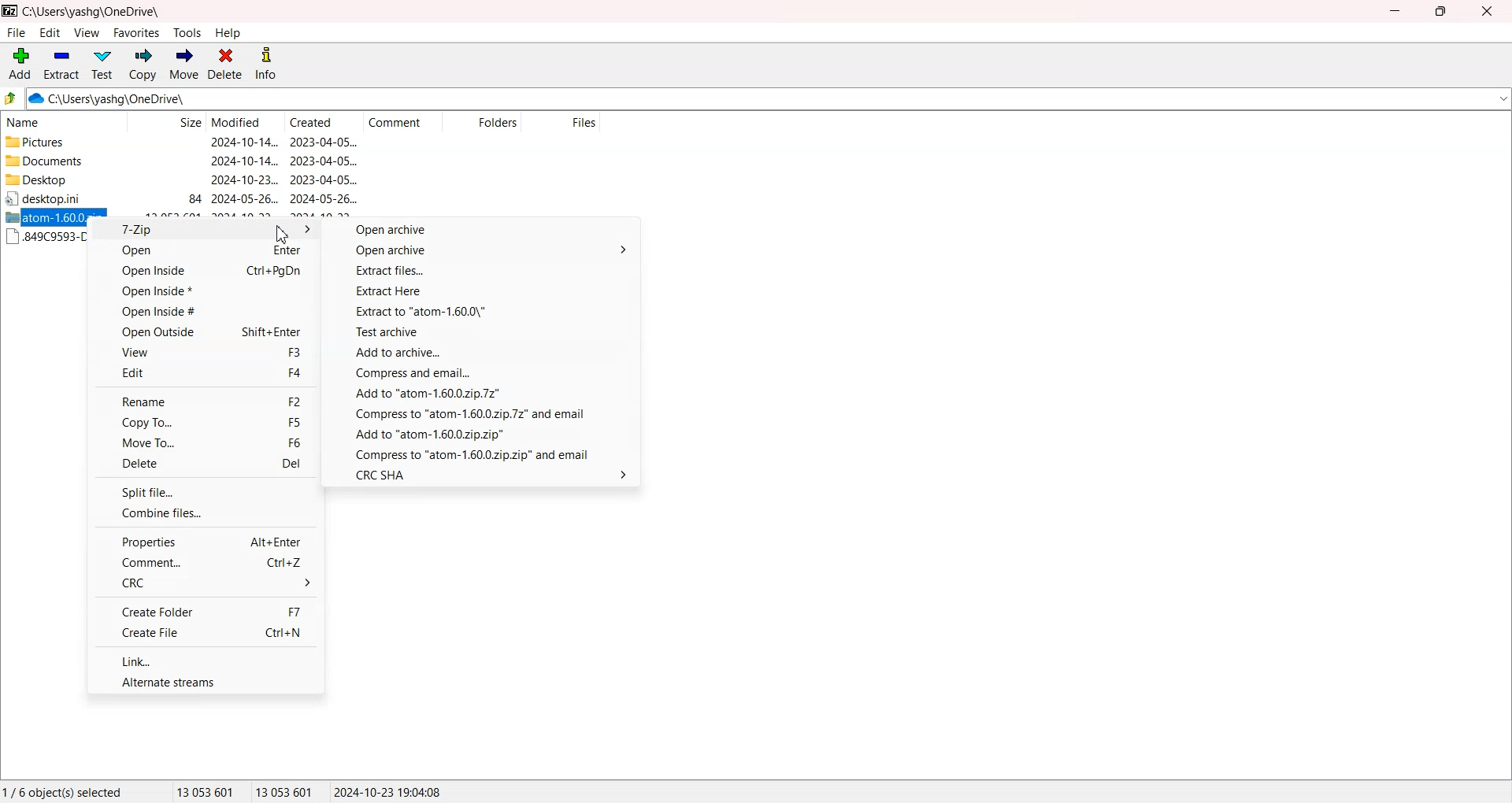 This screenshot has width=1512, height=803. I want to click on Link, so click(208, 660).